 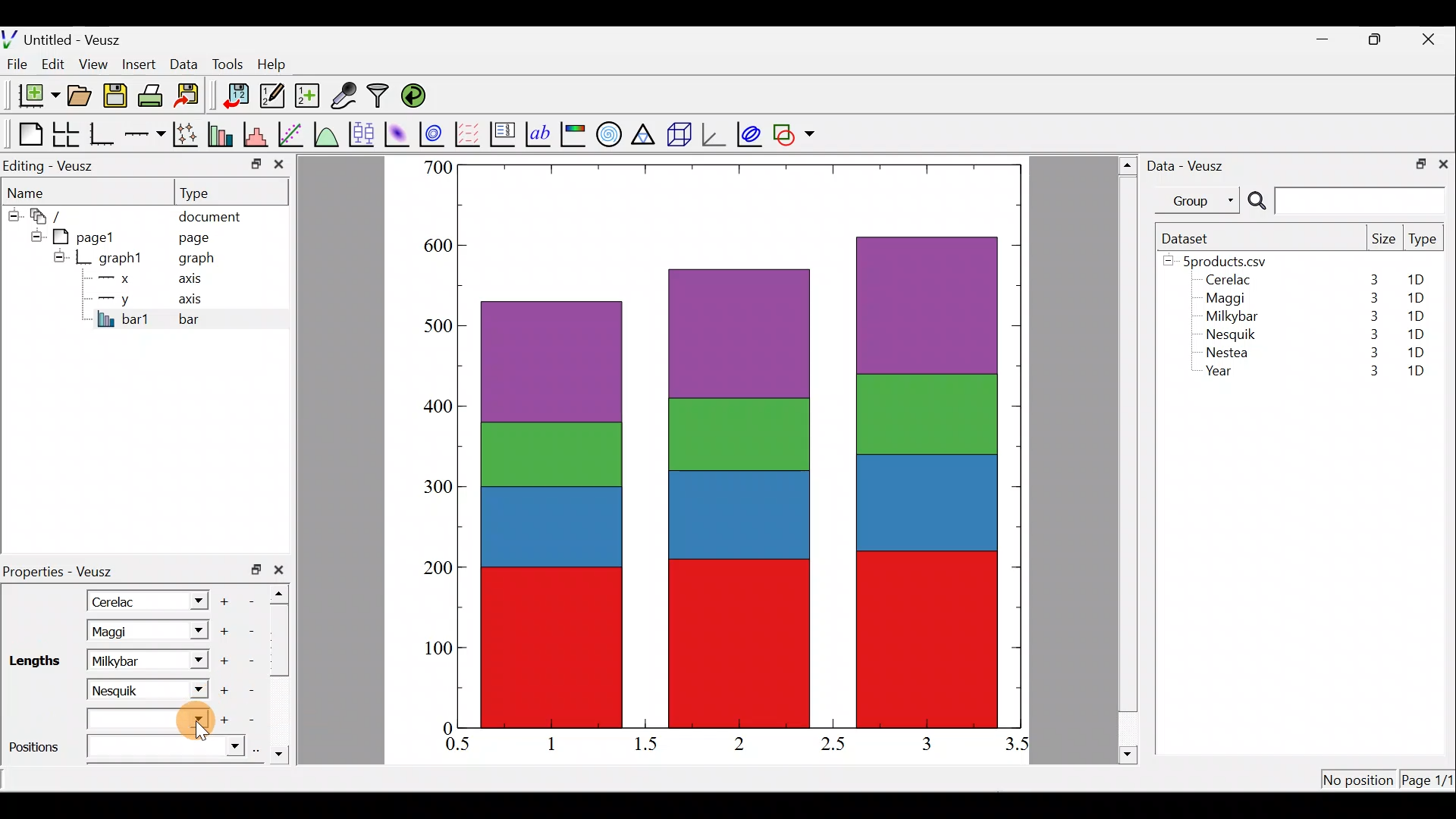 I want to click on Length dropdown, so click(x=191, y=600).